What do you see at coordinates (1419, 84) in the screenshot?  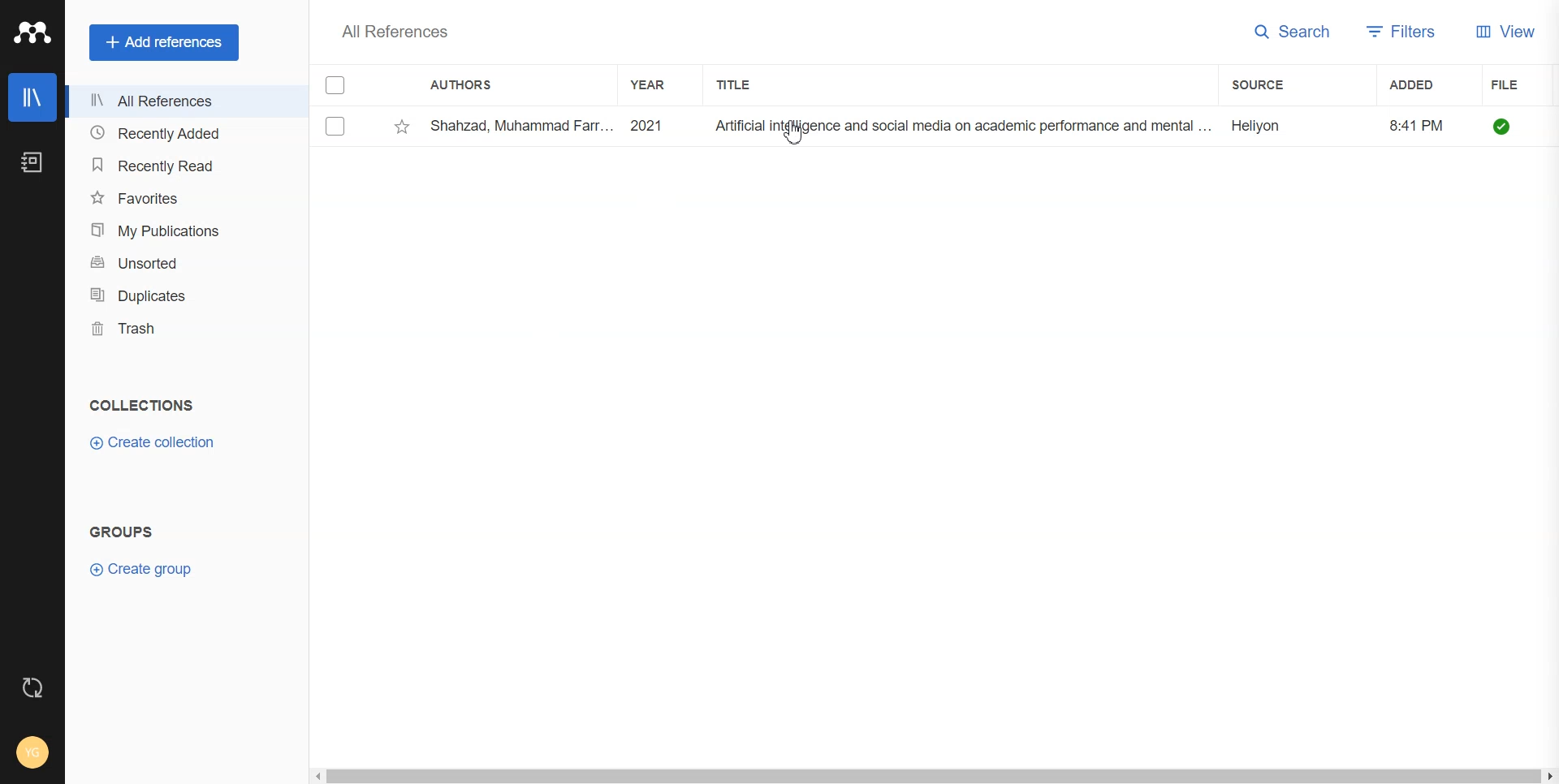 I see `Added` at bounding box center [1419, 84].